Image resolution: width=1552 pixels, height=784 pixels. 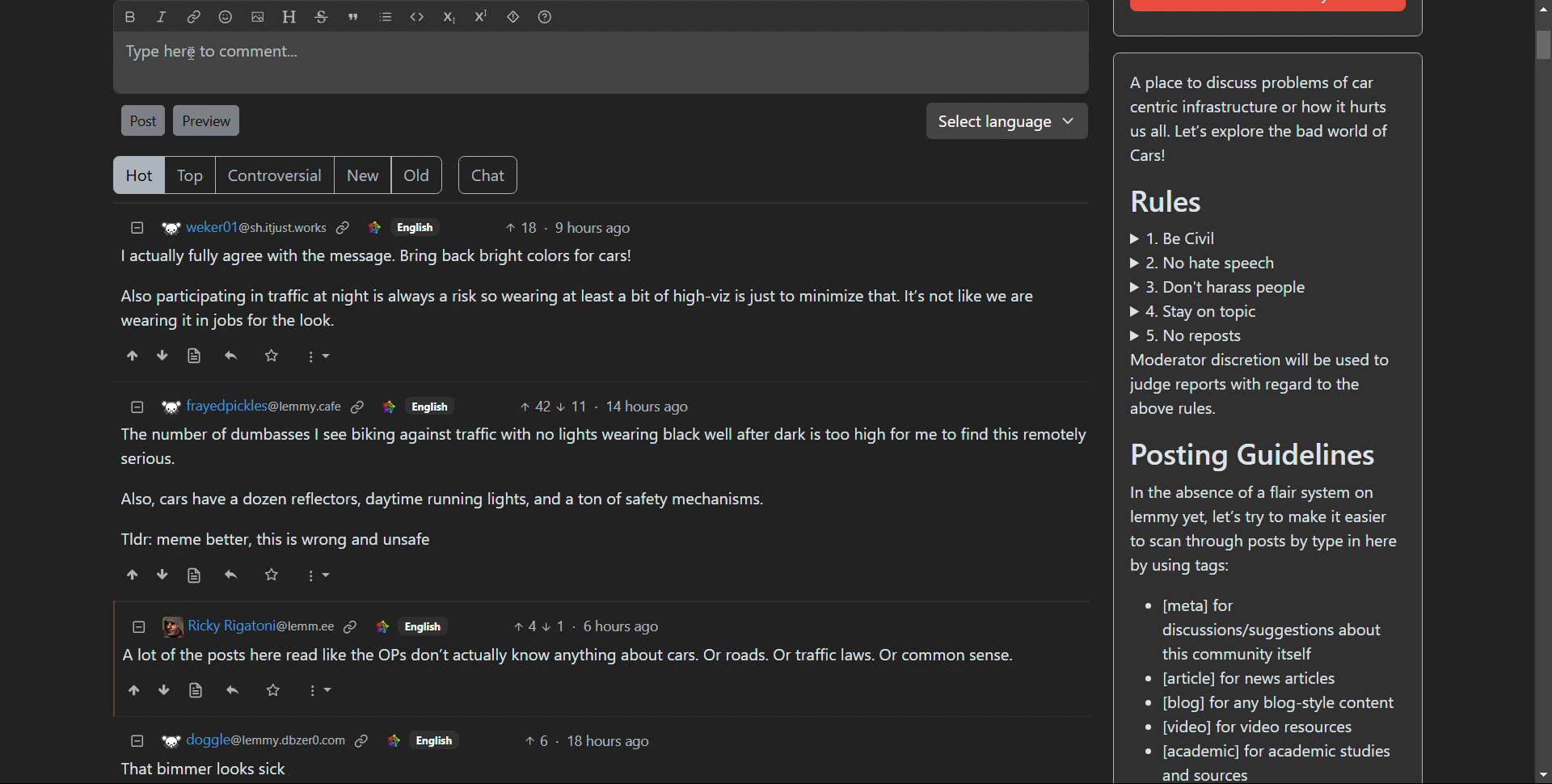 What do you see at coordinates (373, 228) in the screenshot?
I see `link` at bounding box center [373, 228].